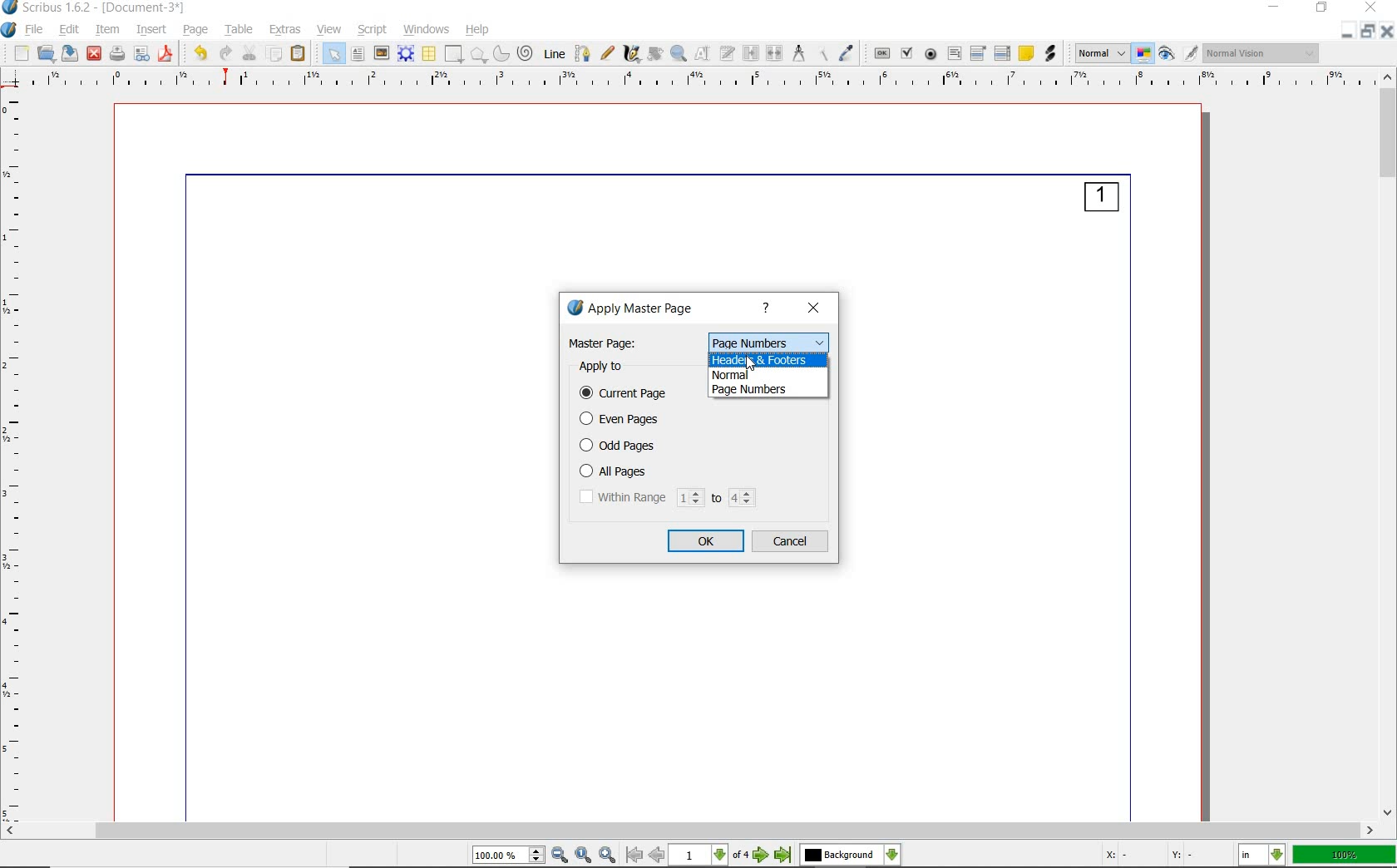 This screenshot has width=1397, height=868. Describe the element at coordinates (1345, 856) in the screenshot. I see `100%` at that location.